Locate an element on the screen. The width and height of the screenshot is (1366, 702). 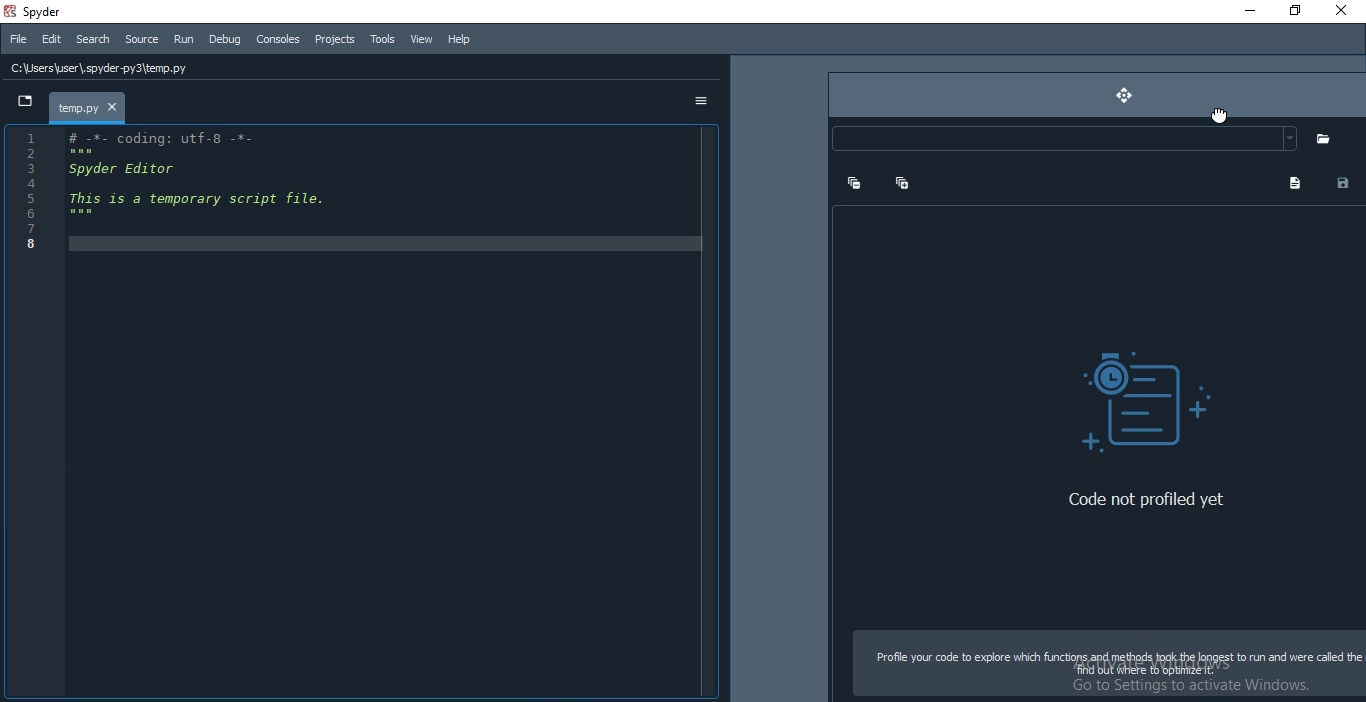
Consoles is located at coordinates (277, 40).